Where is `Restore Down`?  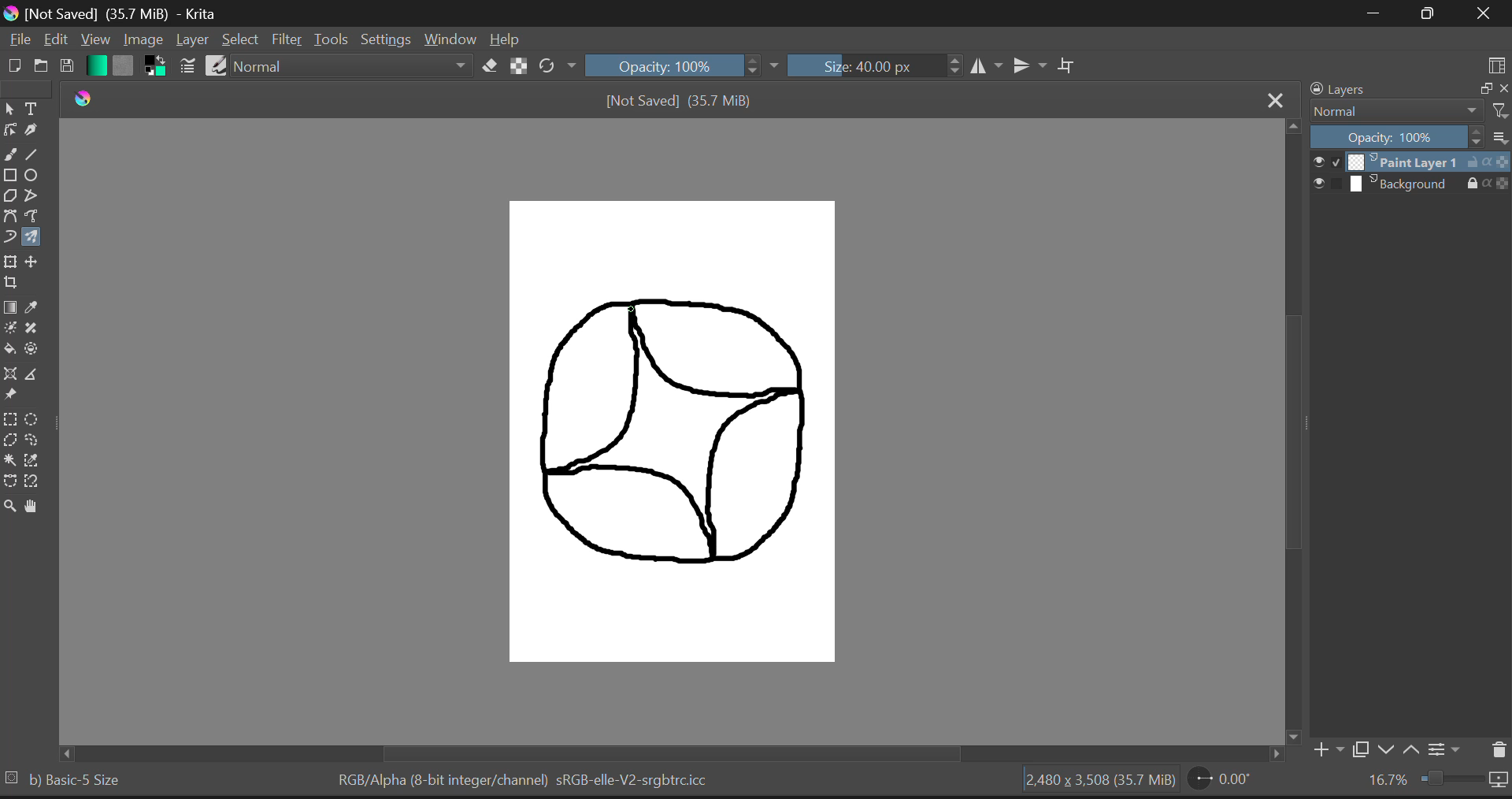 Restore Down is located at coordinates (1378, 13).